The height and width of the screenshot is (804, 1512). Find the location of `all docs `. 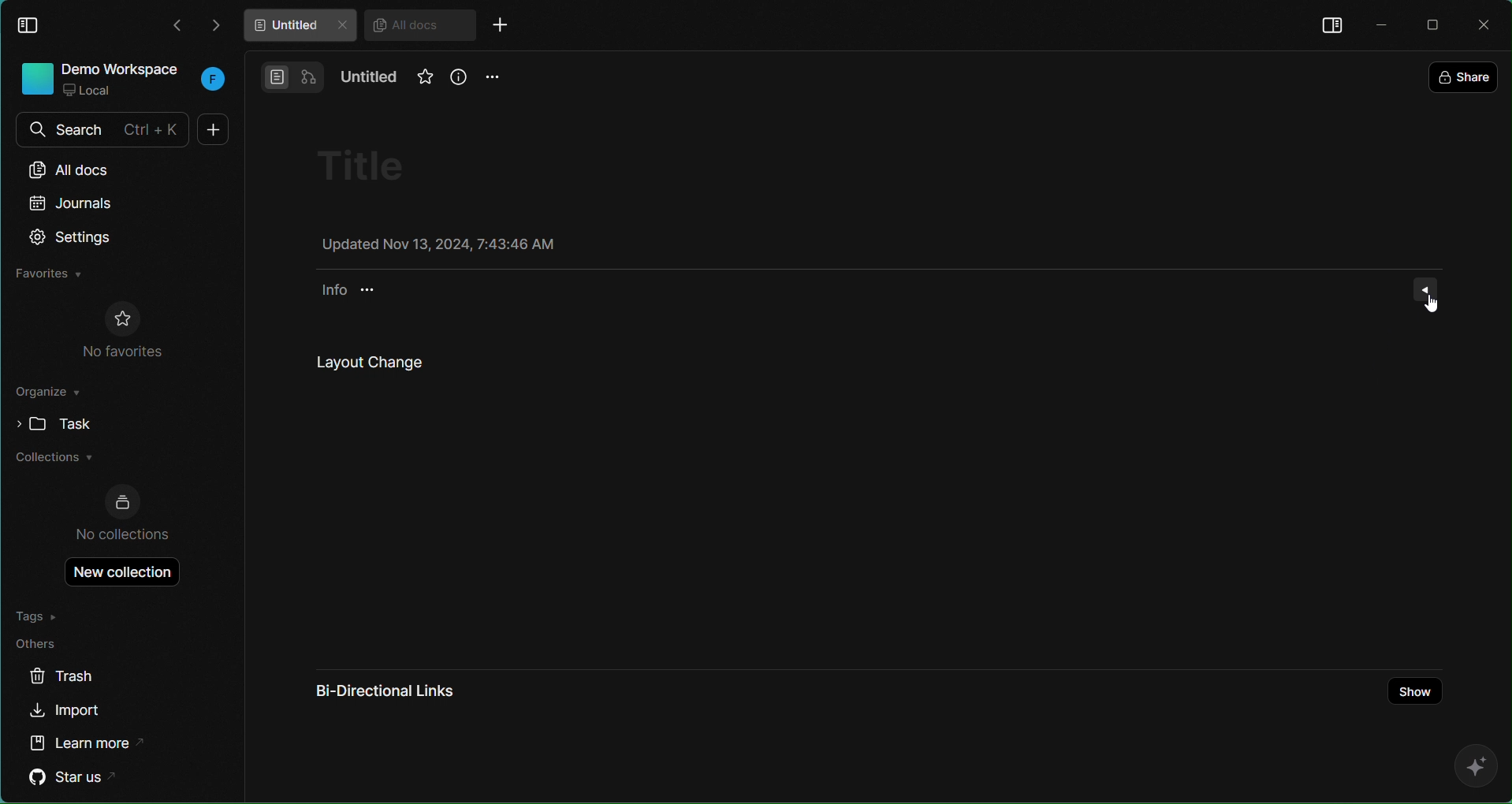

all docs  is located at coordinates (86, 168).